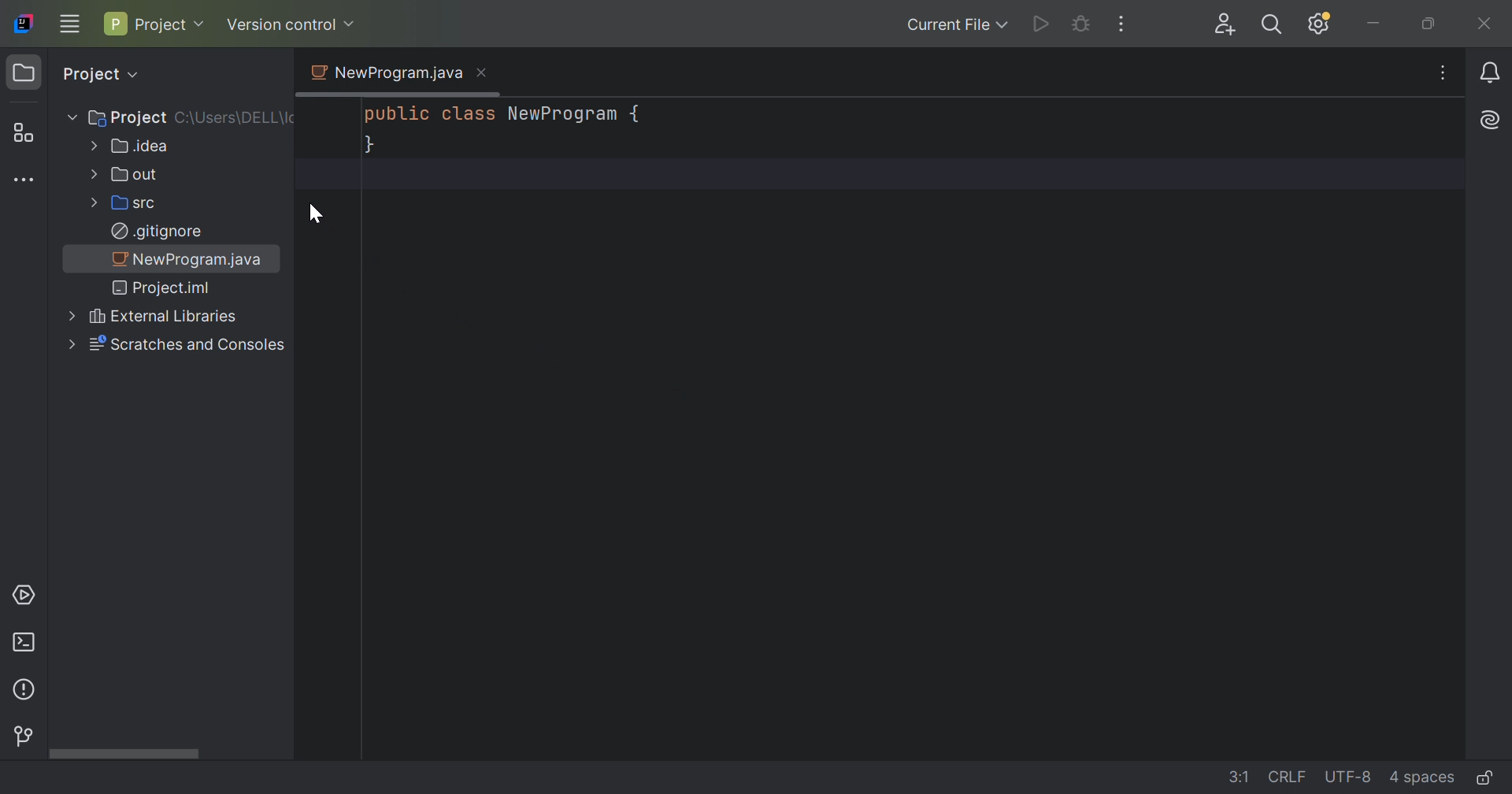 Image resolution: width=1512 pixels, height=794 pixels. What do you see at coordinates (139, 202) in the screenshot?
I see `src` at bounding box center [139, 202].